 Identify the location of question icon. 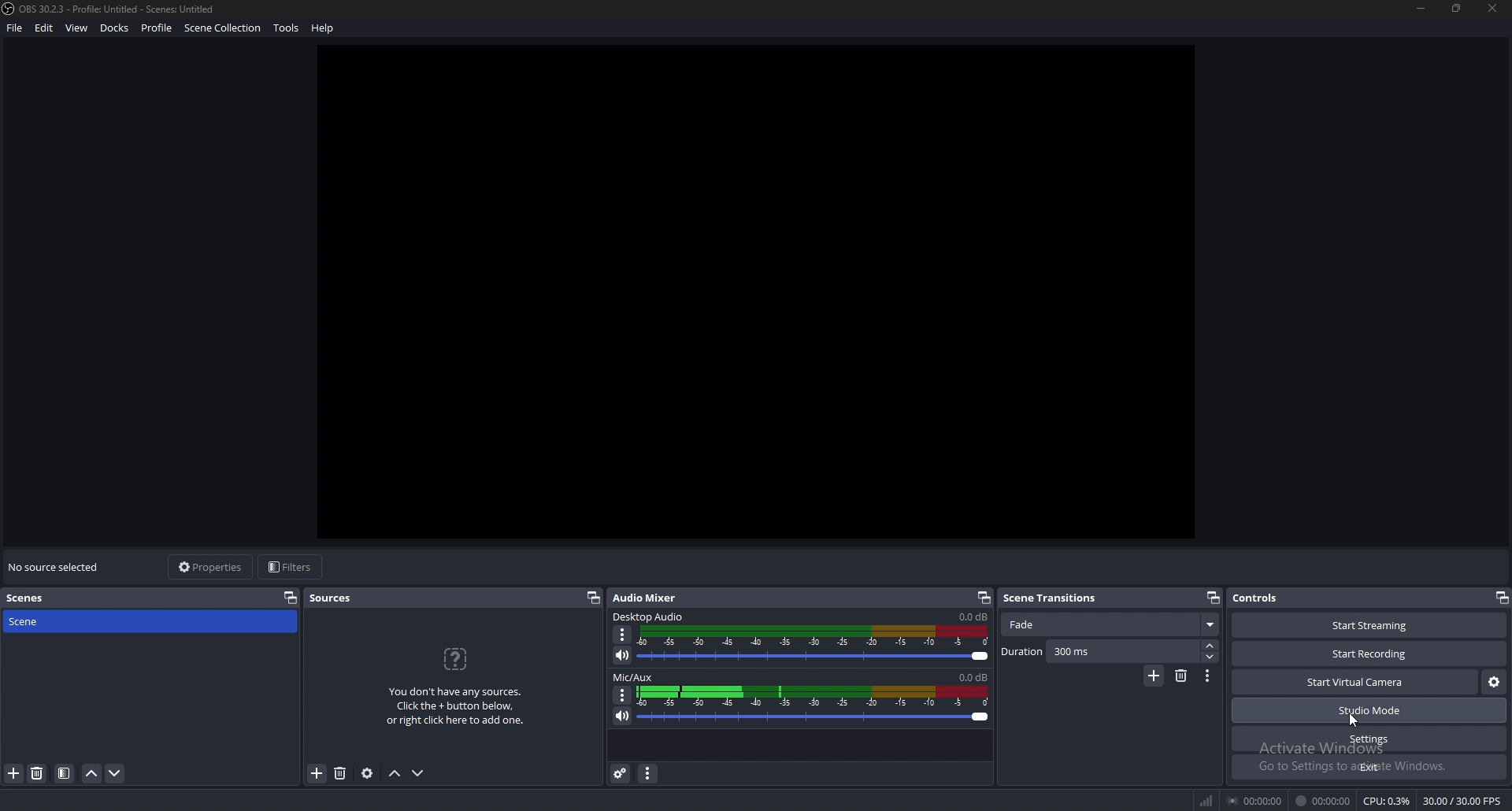
(457, 659).